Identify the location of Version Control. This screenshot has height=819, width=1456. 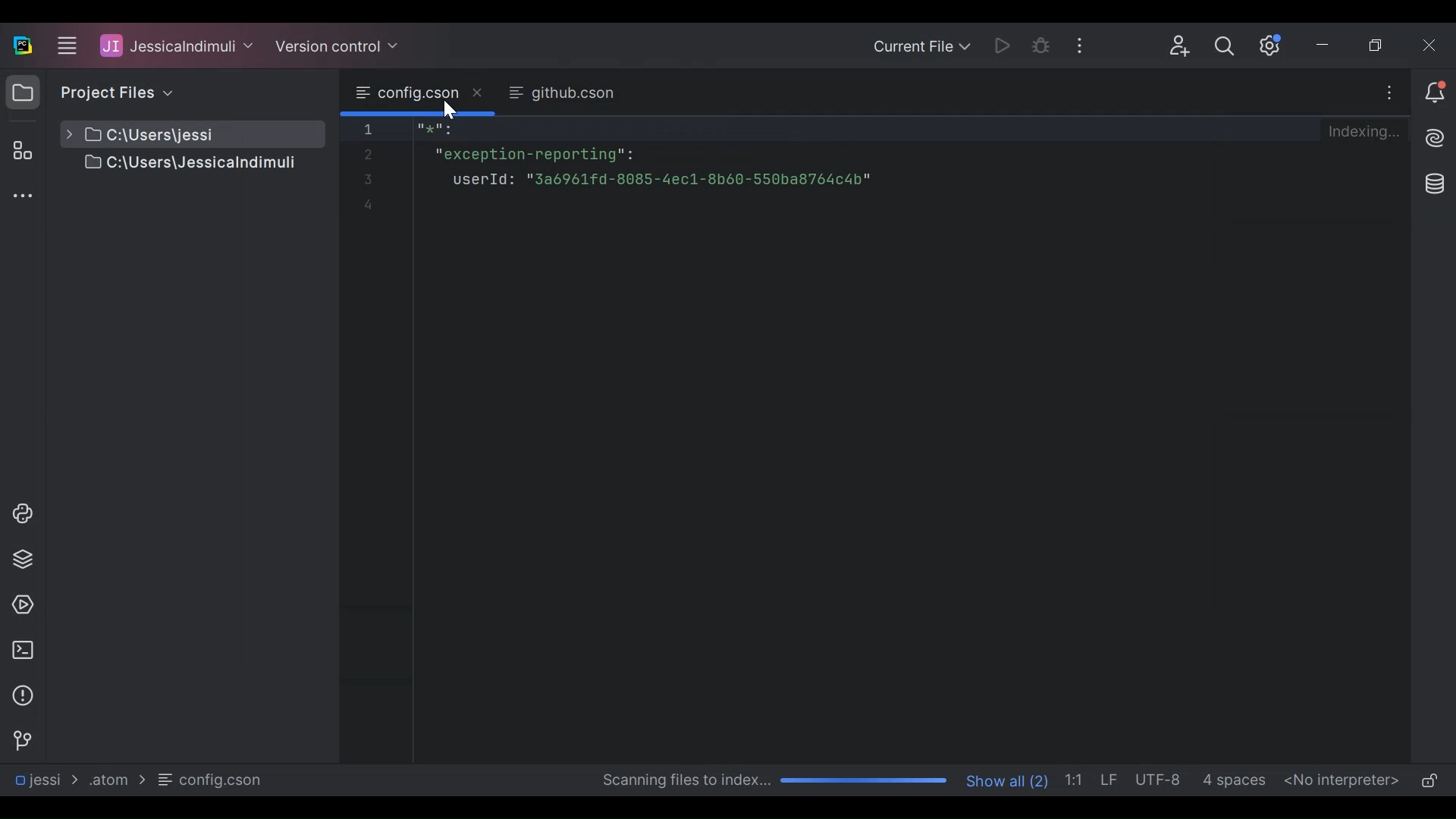
(338, 44).